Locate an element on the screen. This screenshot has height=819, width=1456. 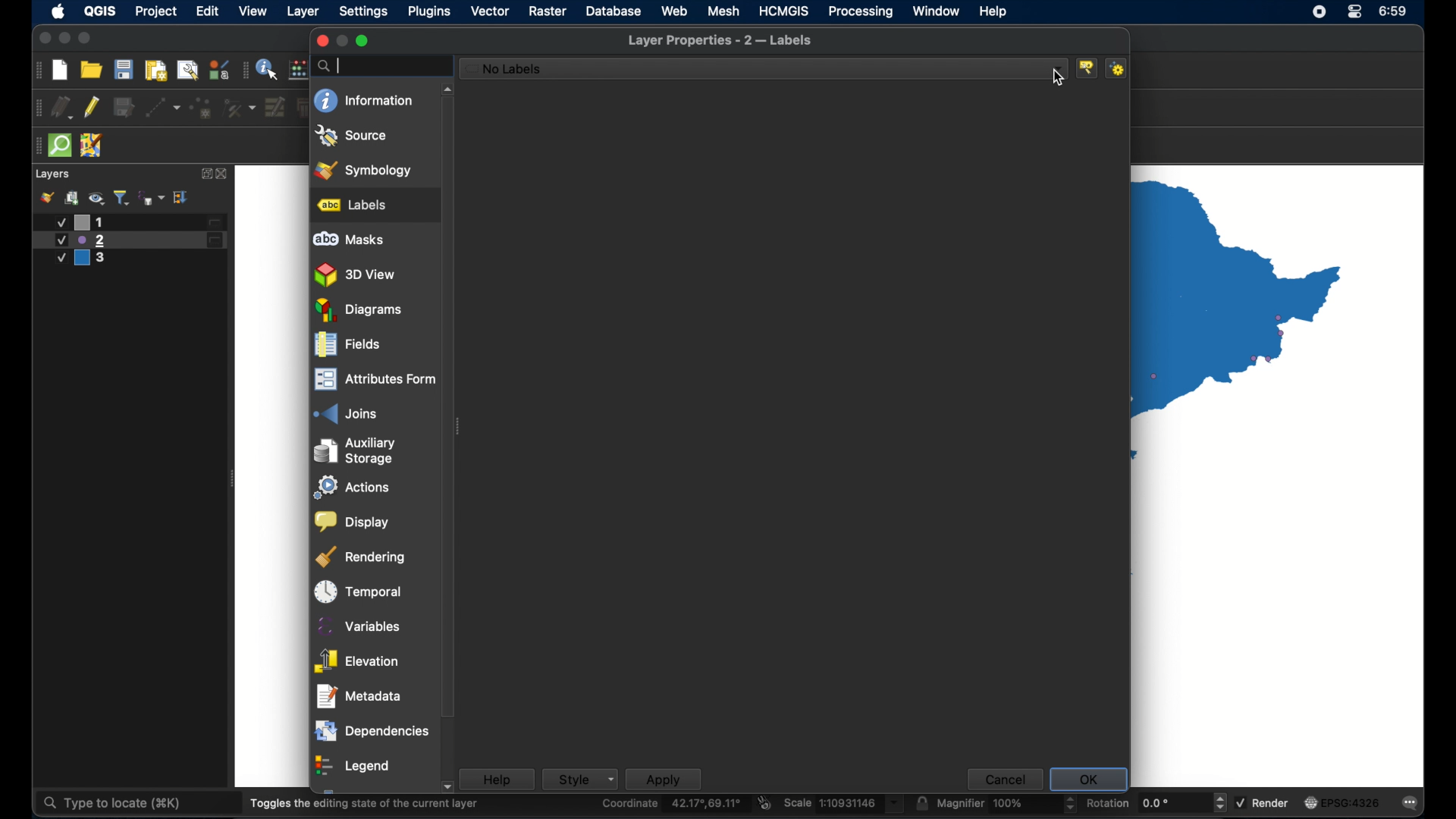
auxilliary storage is located at coordinates (359, 450).